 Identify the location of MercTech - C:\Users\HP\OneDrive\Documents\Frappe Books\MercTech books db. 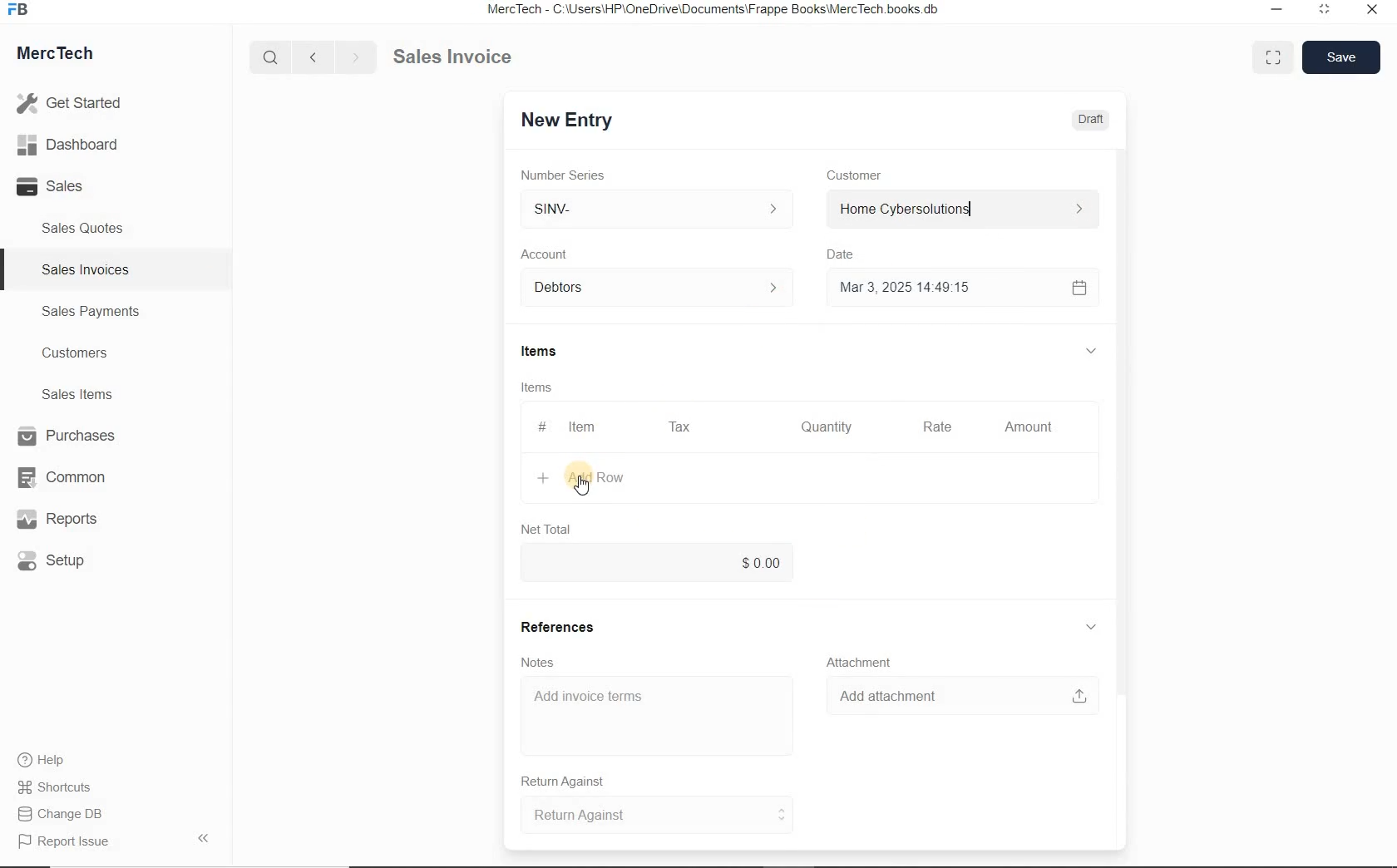
(715, 10).